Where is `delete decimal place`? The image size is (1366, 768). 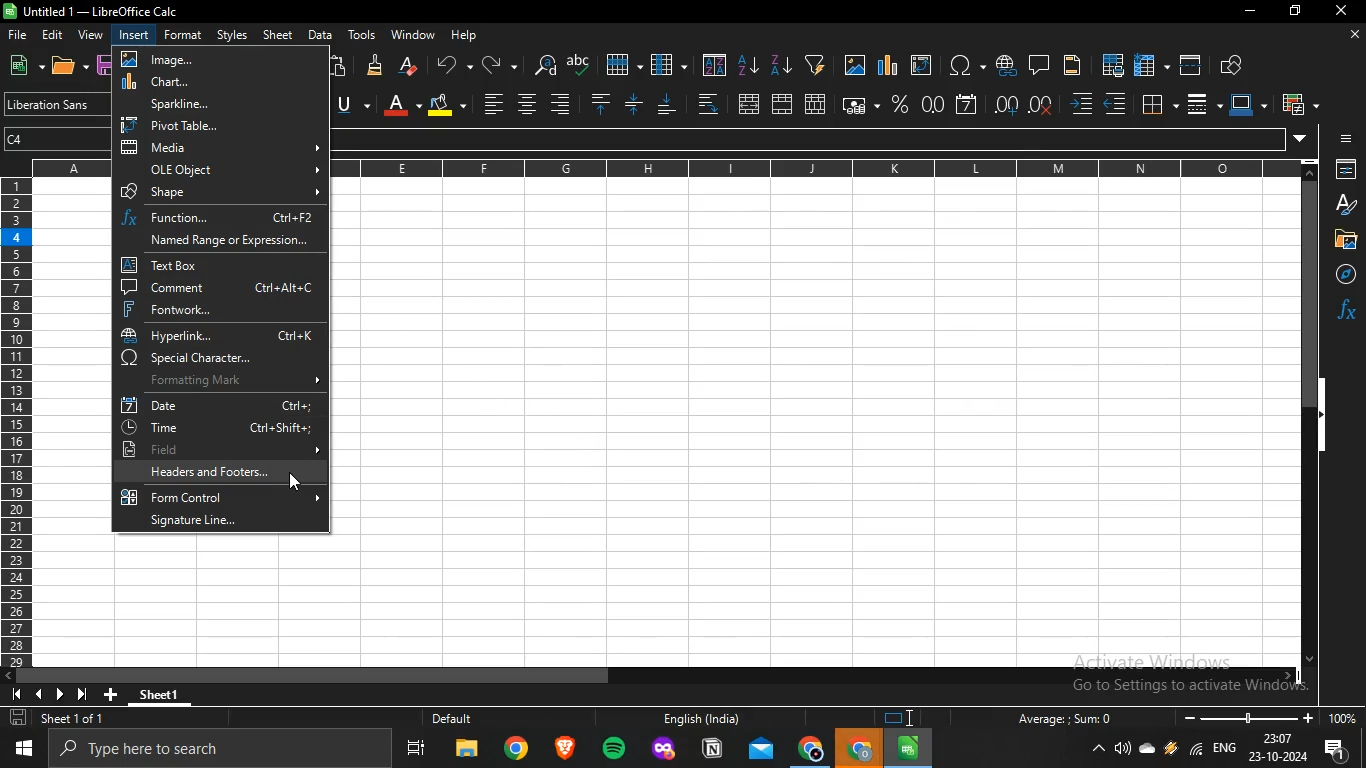 delete decimal place is located at coordinates (1043, 104).